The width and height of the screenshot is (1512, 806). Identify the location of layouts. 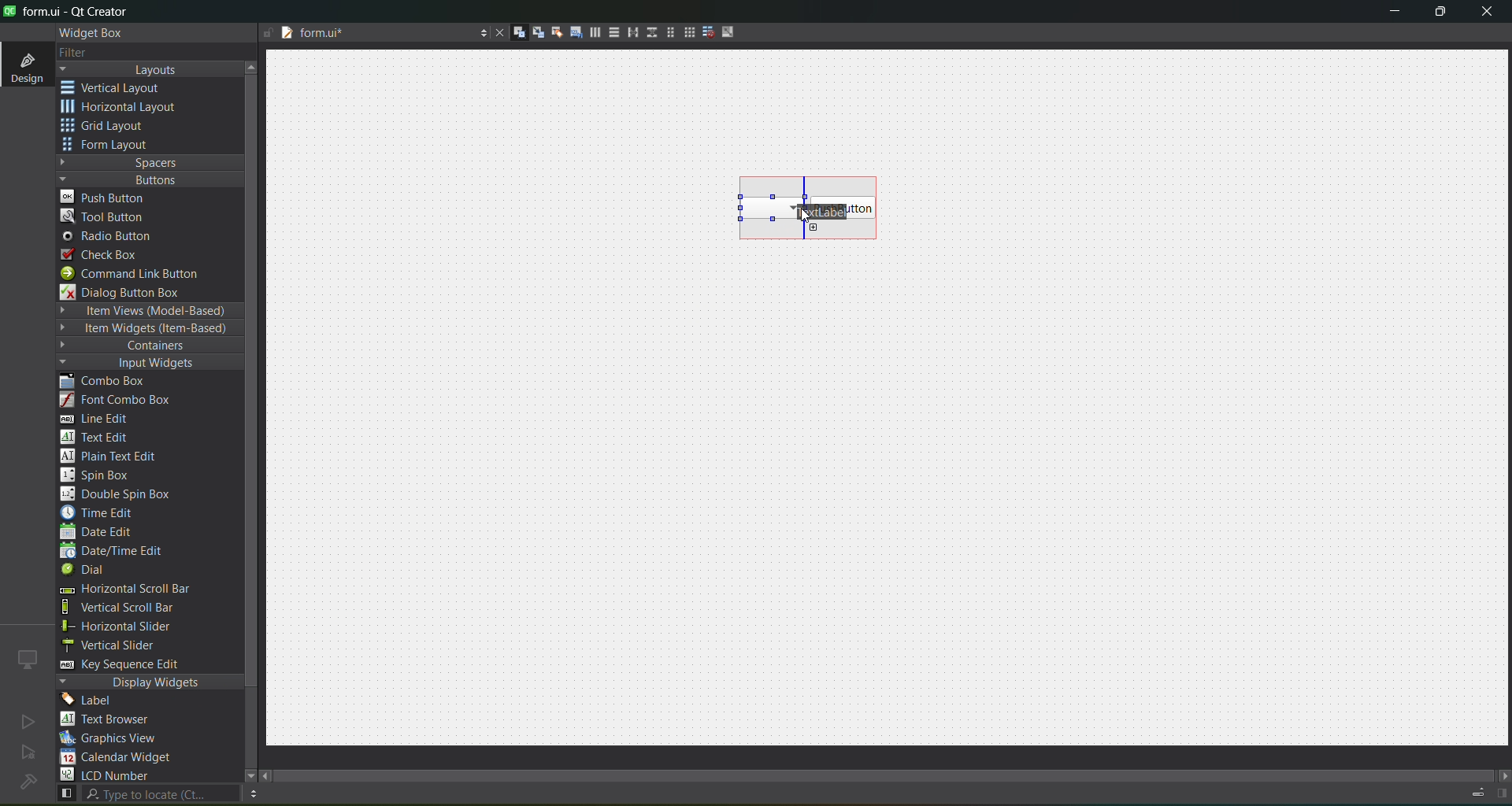
(150, 69).